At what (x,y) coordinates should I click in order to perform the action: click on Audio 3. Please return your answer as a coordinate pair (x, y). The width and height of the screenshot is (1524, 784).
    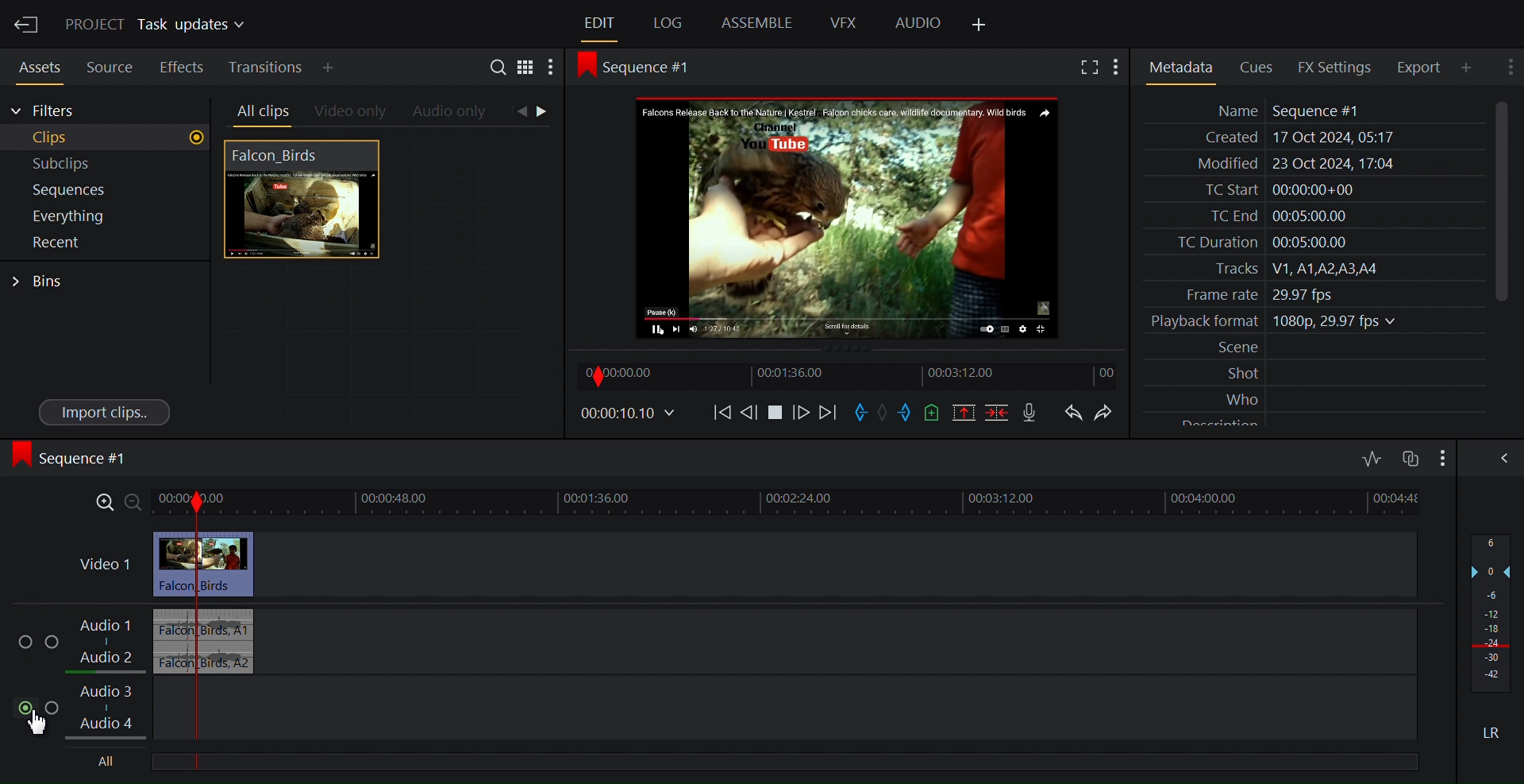
    Looking at the image, I should click on (106, 698).